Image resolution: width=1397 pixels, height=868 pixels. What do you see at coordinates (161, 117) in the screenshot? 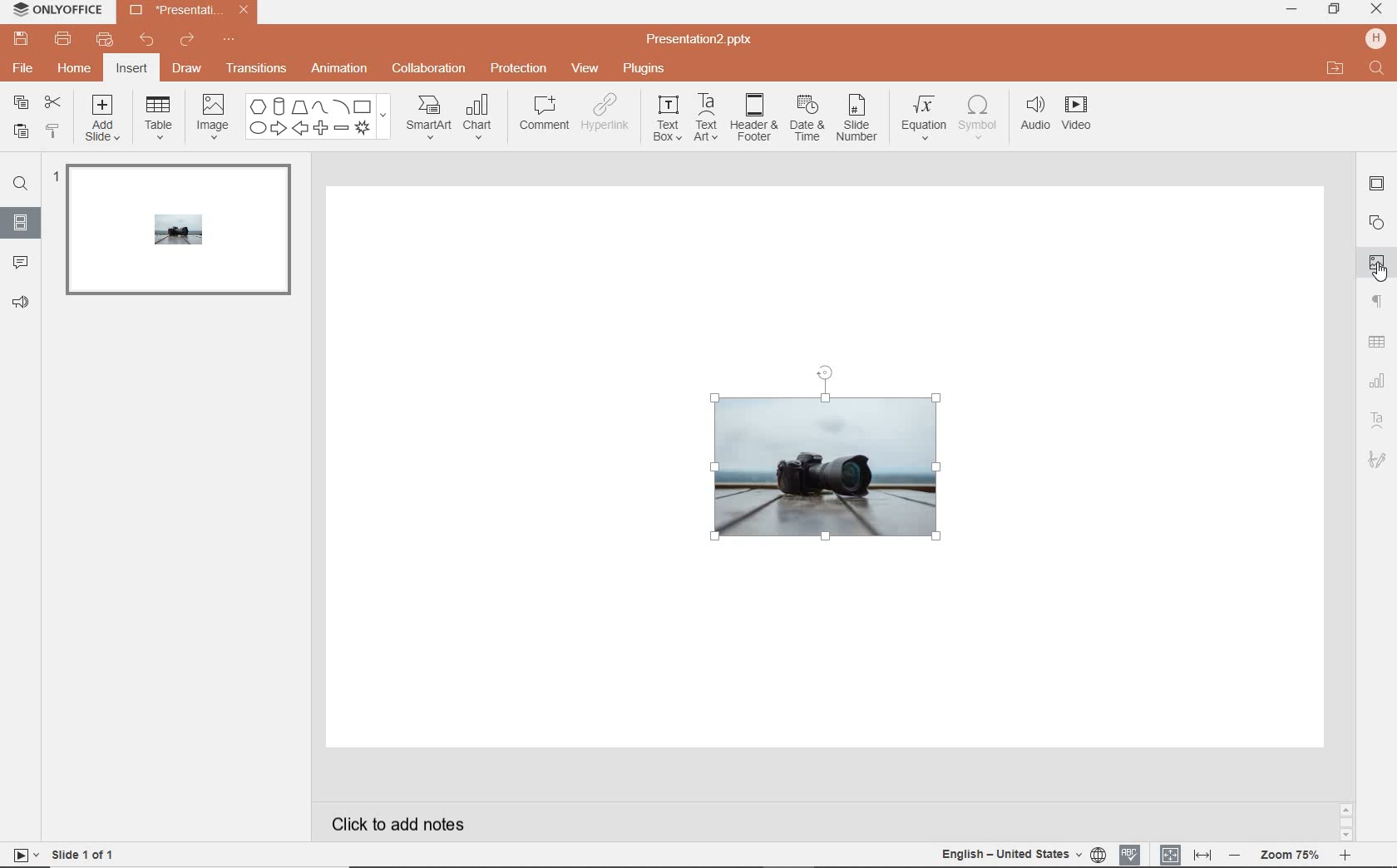
I see `table` at bounding box center [161, 117].